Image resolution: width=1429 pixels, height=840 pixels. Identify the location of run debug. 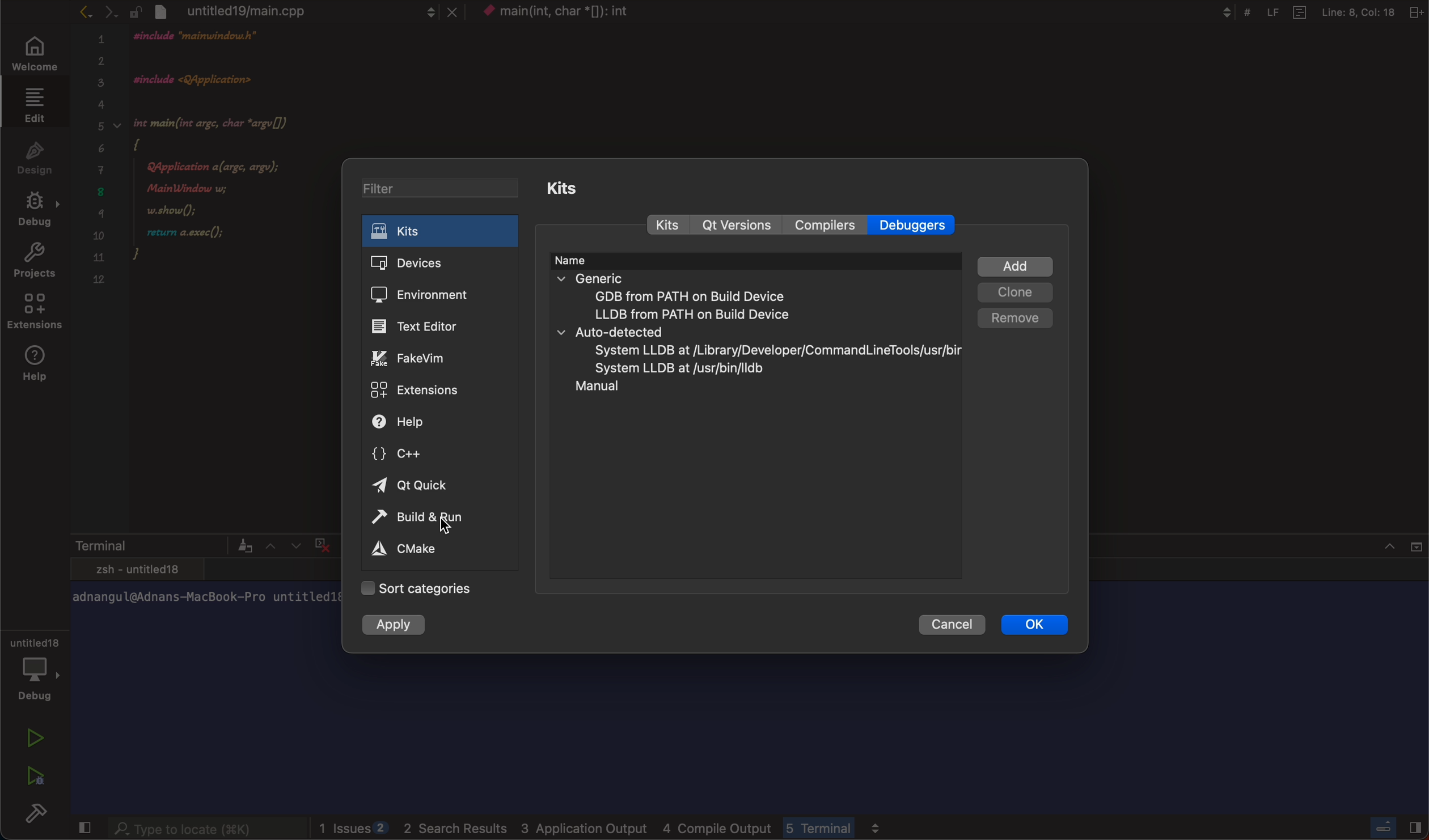
(33, 773).